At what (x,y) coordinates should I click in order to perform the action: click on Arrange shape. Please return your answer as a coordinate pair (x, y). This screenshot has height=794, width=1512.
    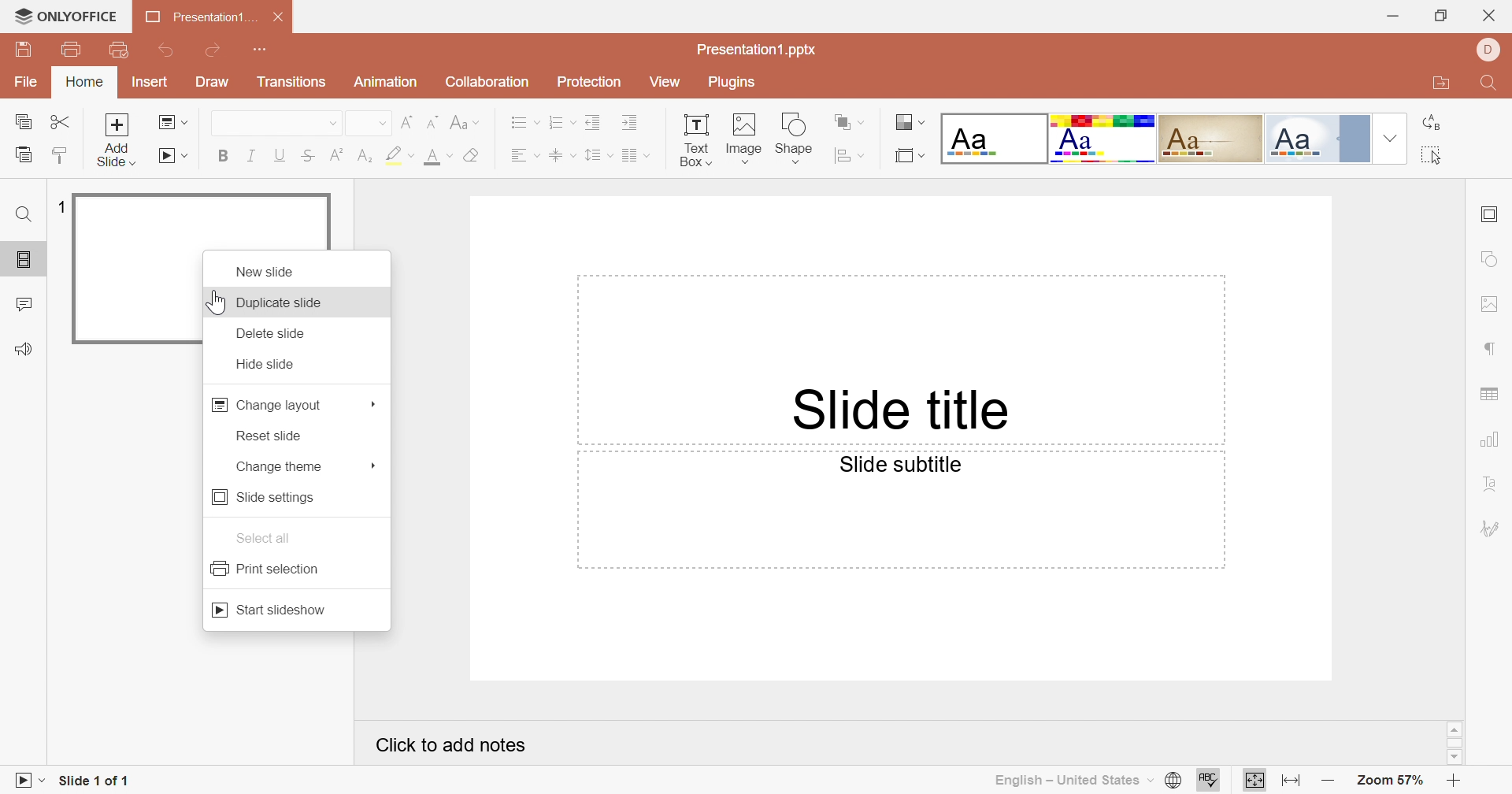
    Looking at the image, I should click on (850, 119).